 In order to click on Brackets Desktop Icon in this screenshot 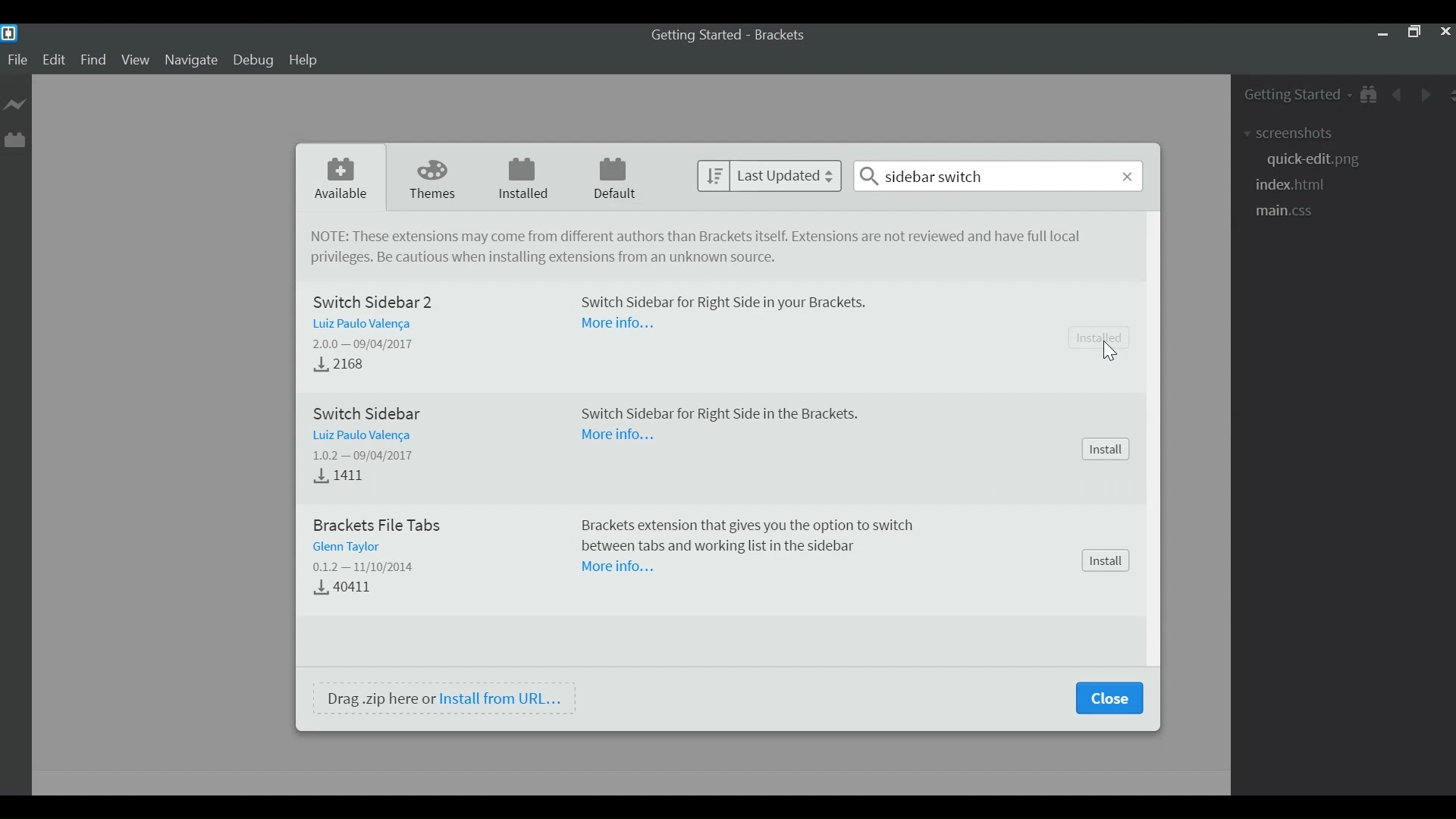, I will do `click(9, 33)`.